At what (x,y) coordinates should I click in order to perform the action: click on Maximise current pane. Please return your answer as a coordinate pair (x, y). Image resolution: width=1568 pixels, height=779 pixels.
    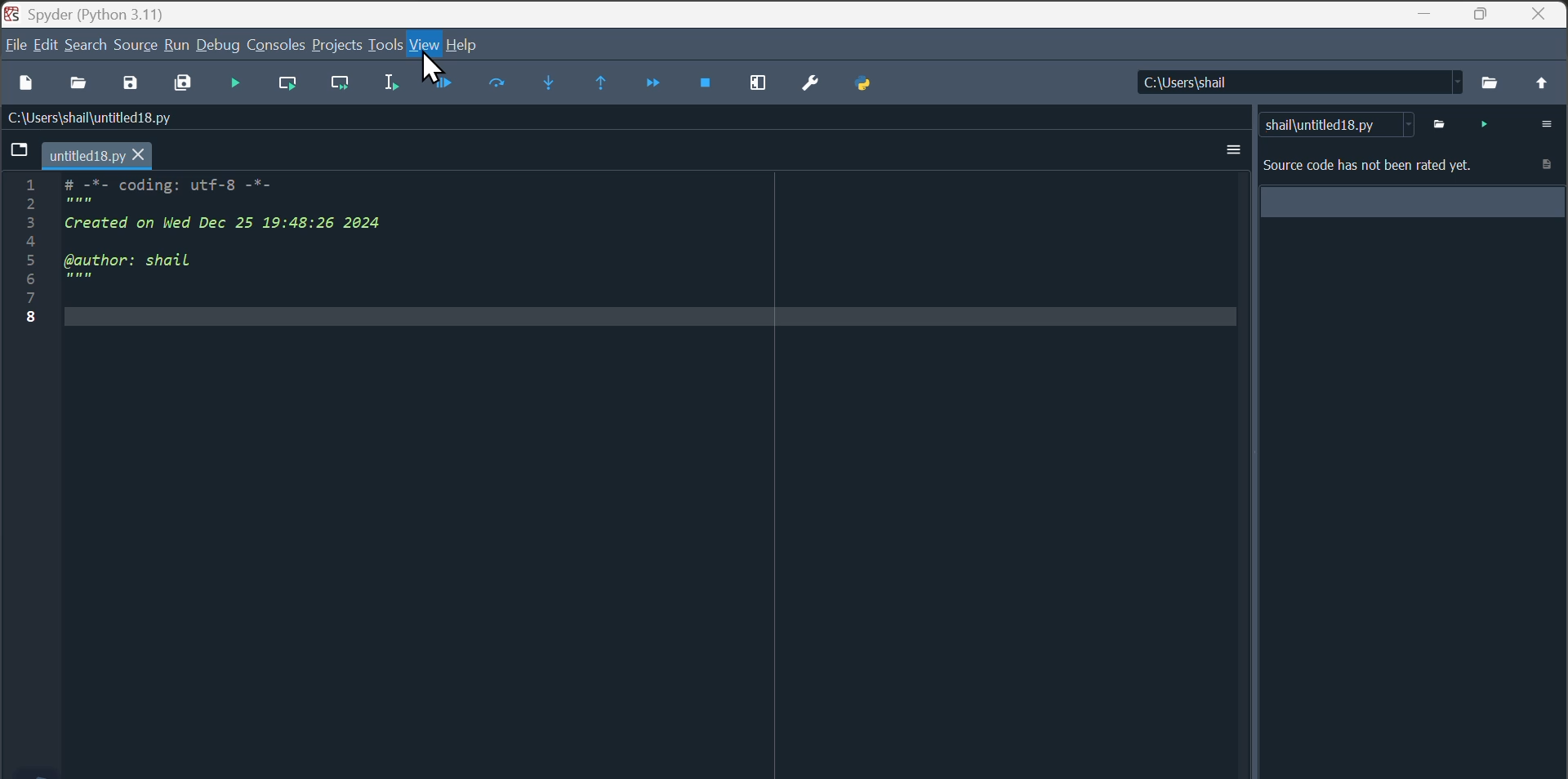
    Looking at the image, I should click on (763, 87).